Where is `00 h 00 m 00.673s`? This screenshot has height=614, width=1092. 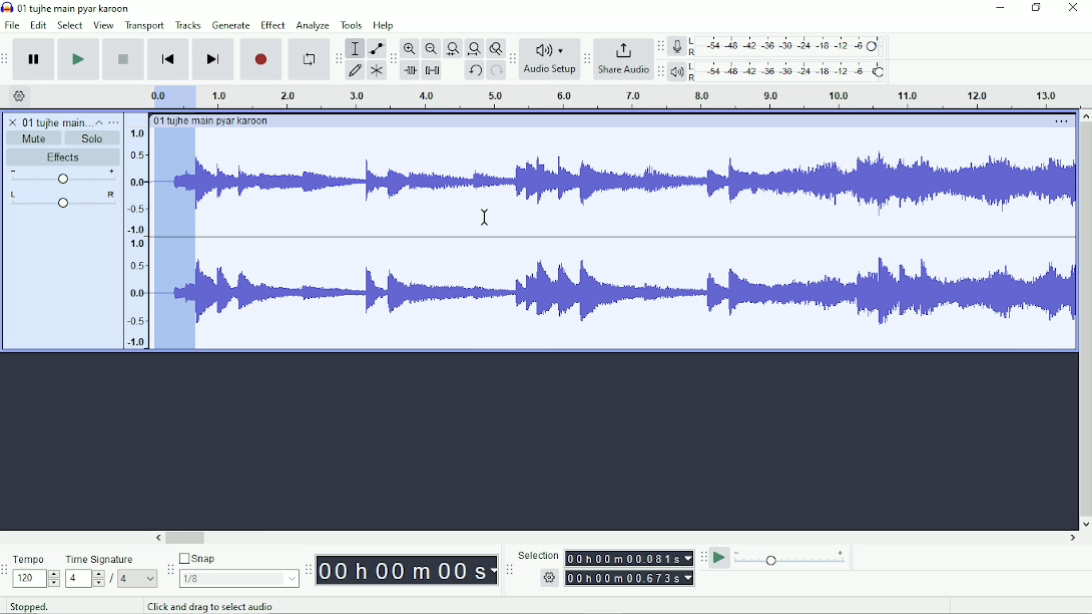 00 h 00 m 00.673s is located at coordinates (632, 577).